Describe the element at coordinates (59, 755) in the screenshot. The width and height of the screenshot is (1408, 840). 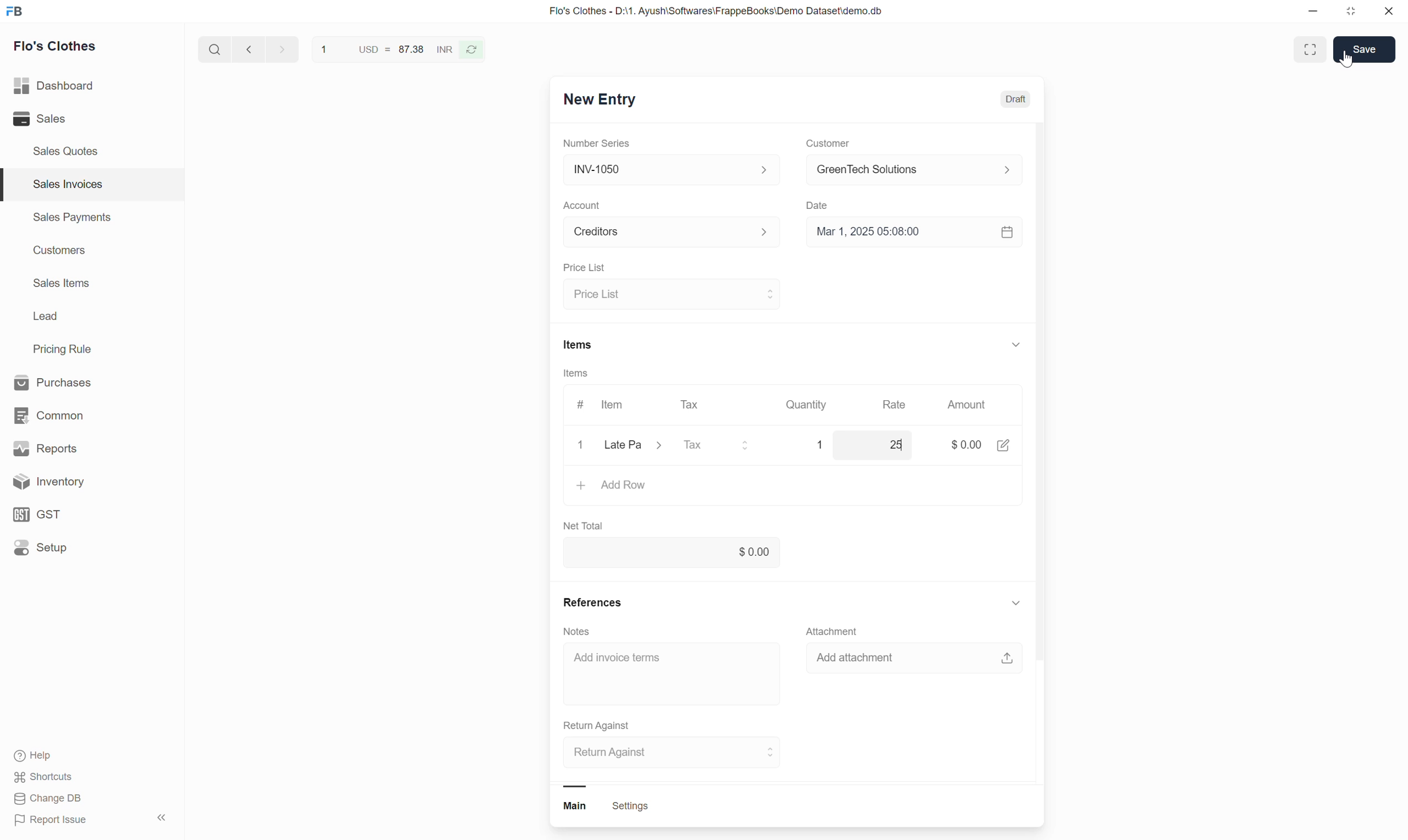
I see `Help` at that location.